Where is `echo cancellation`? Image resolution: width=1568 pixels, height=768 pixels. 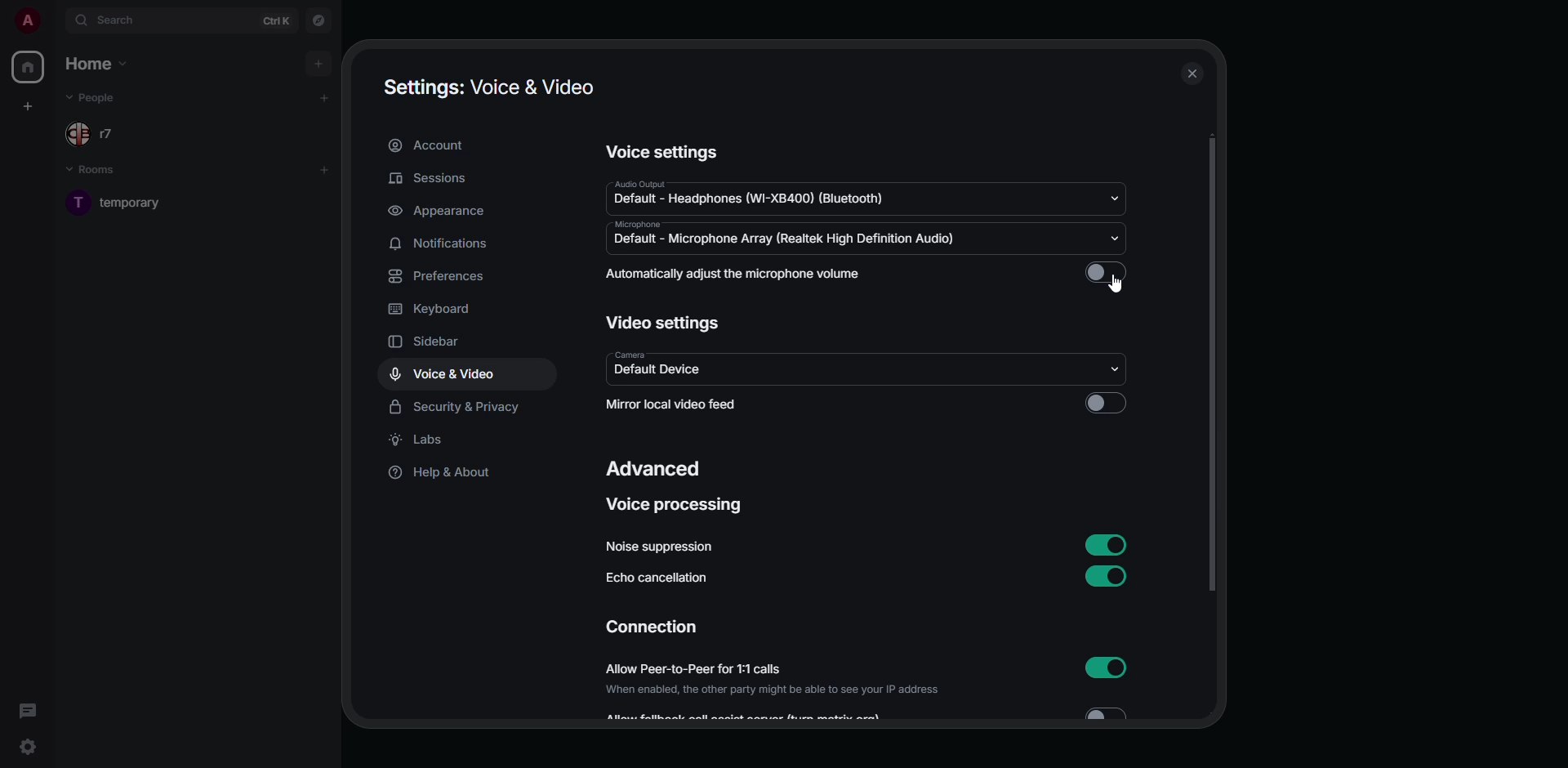
echo cancellation is located at coordinates (661, 576).